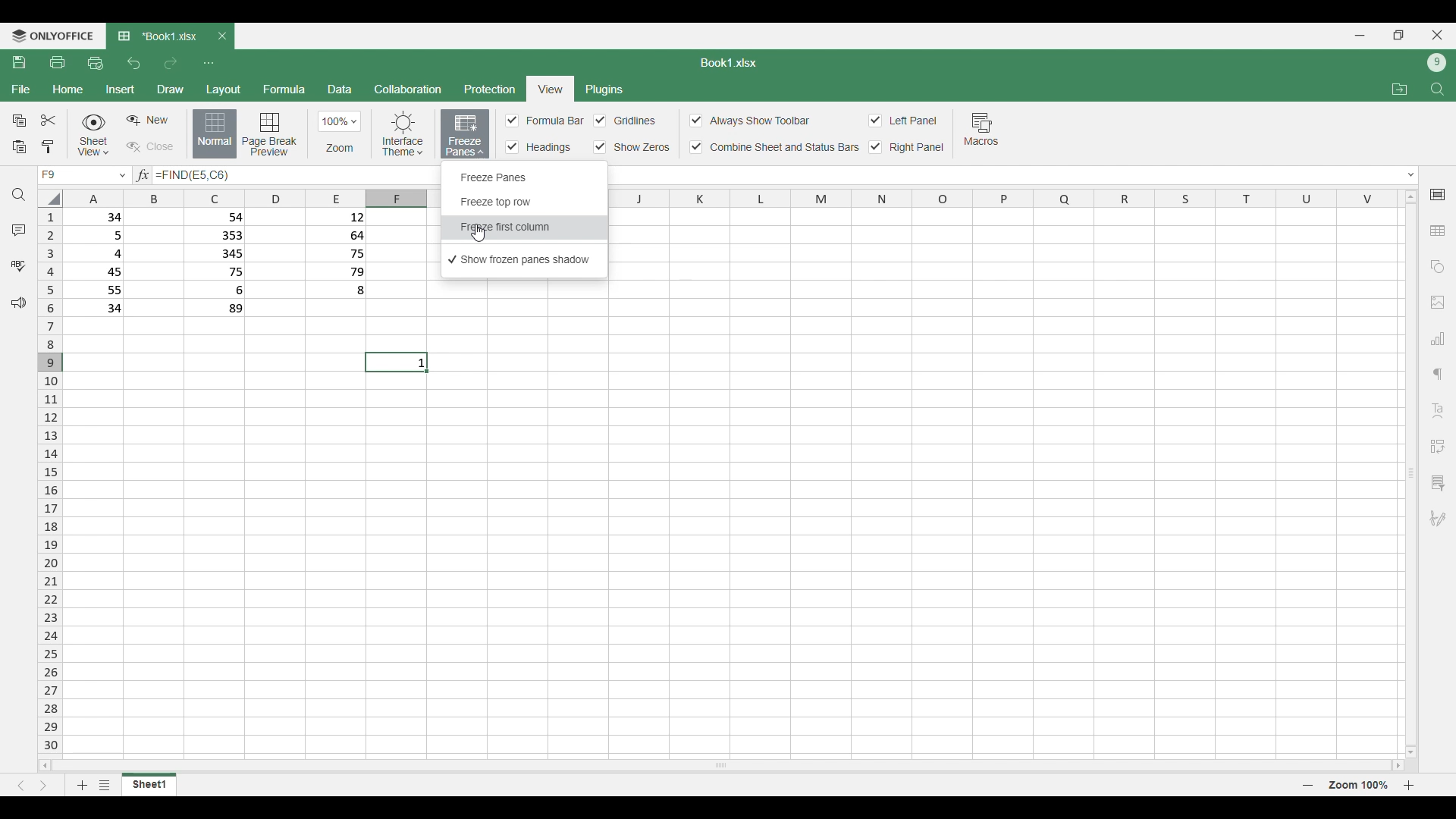 The image size is (1456, 819). Describe the element at coordinates (524, 260) in the screenshot. I see `Show frozen panes, current selection` at that location.